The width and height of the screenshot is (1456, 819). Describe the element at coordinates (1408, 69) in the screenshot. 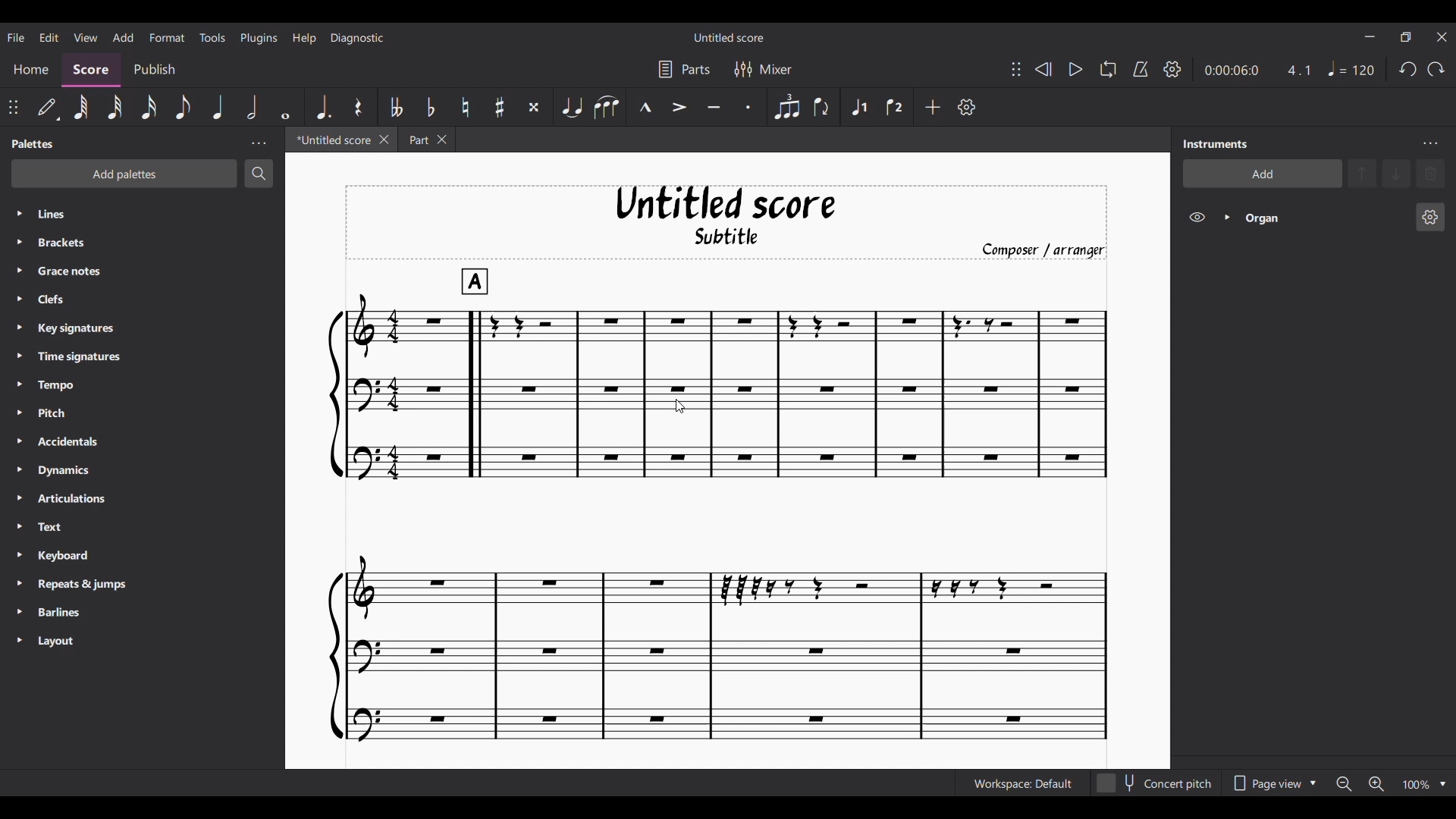

I see `Undo` at that location.